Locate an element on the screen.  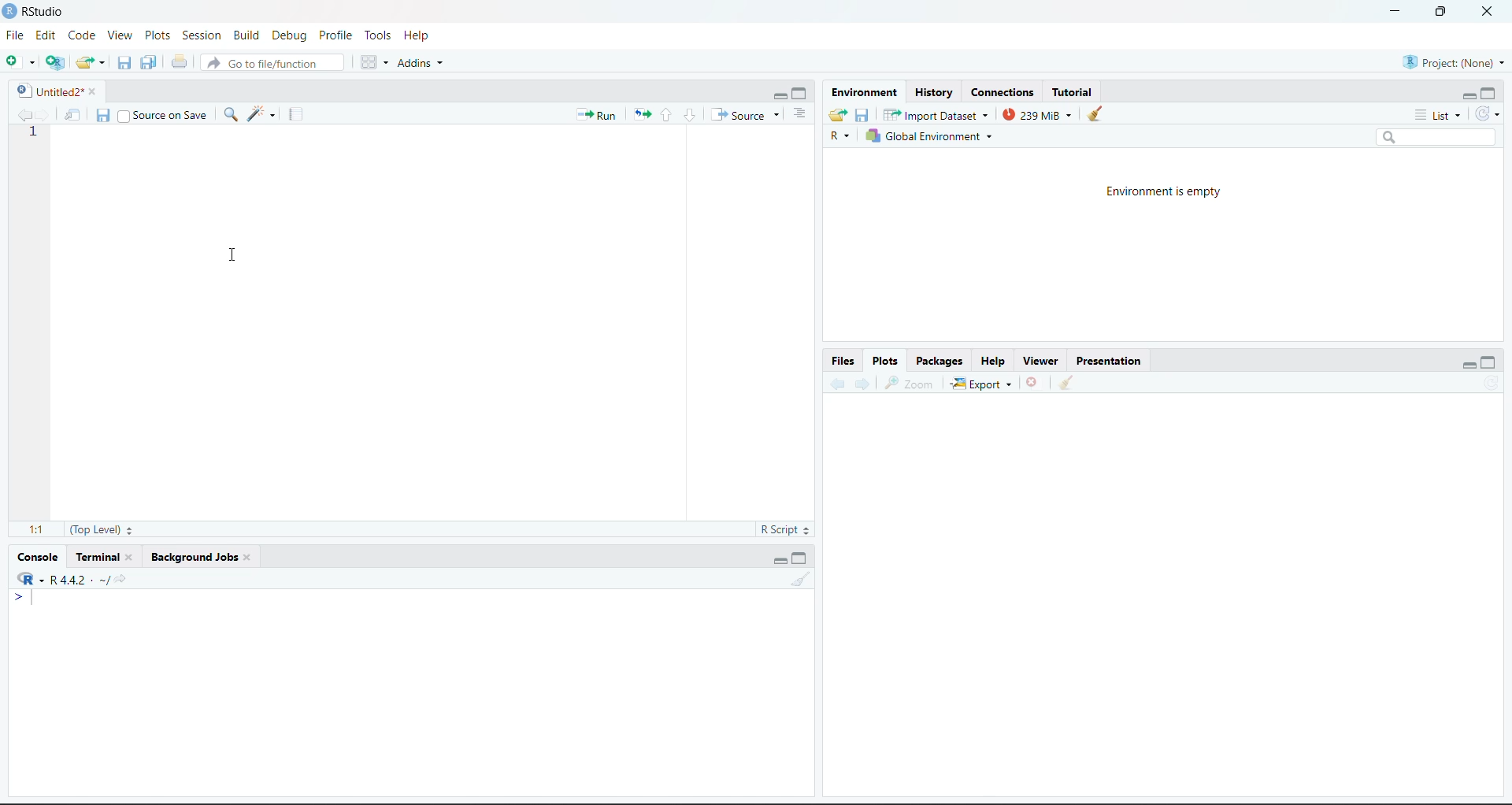
Search bar is located at coordinates (1444, 139).